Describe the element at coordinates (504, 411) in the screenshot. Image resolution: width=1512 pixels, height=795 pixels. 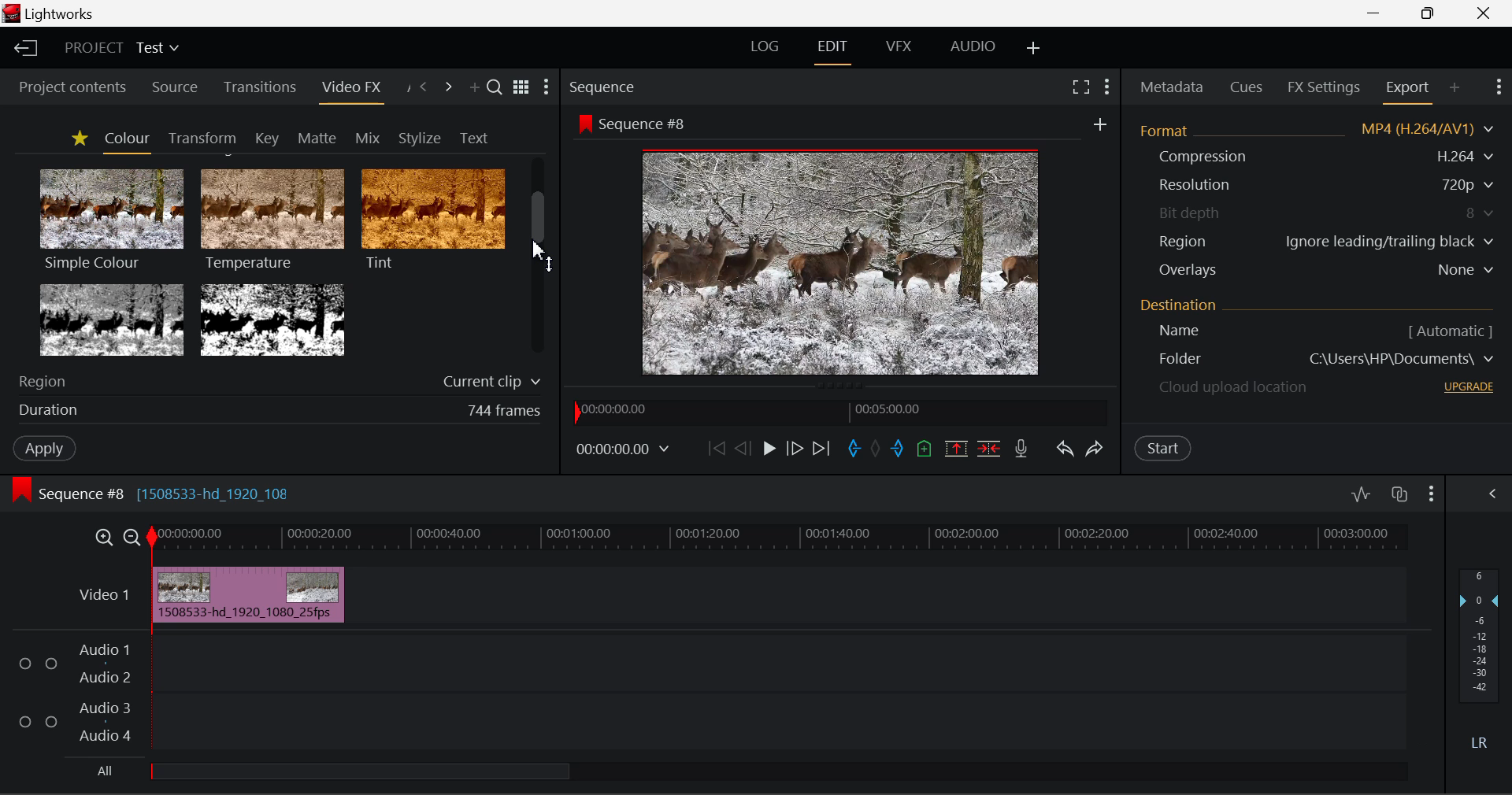
I see `744 frames` at that location.